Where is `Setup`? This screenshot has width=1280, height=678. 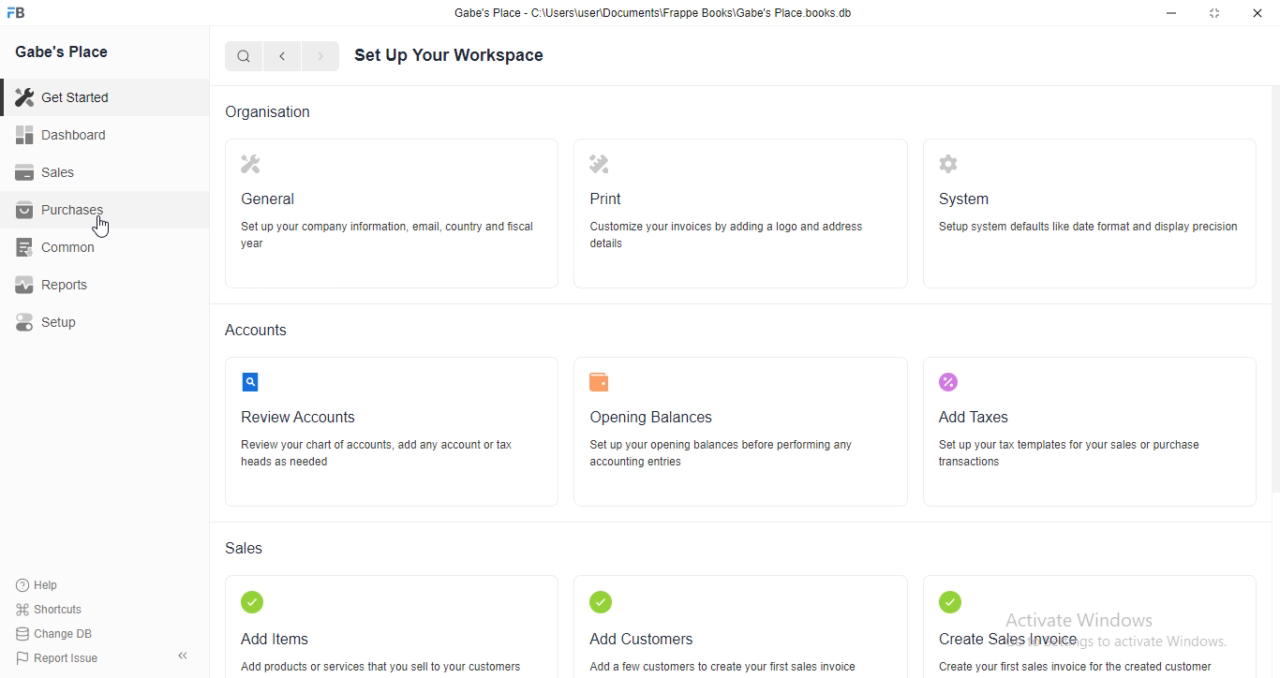 Setup is located at coordinates (66, 325).